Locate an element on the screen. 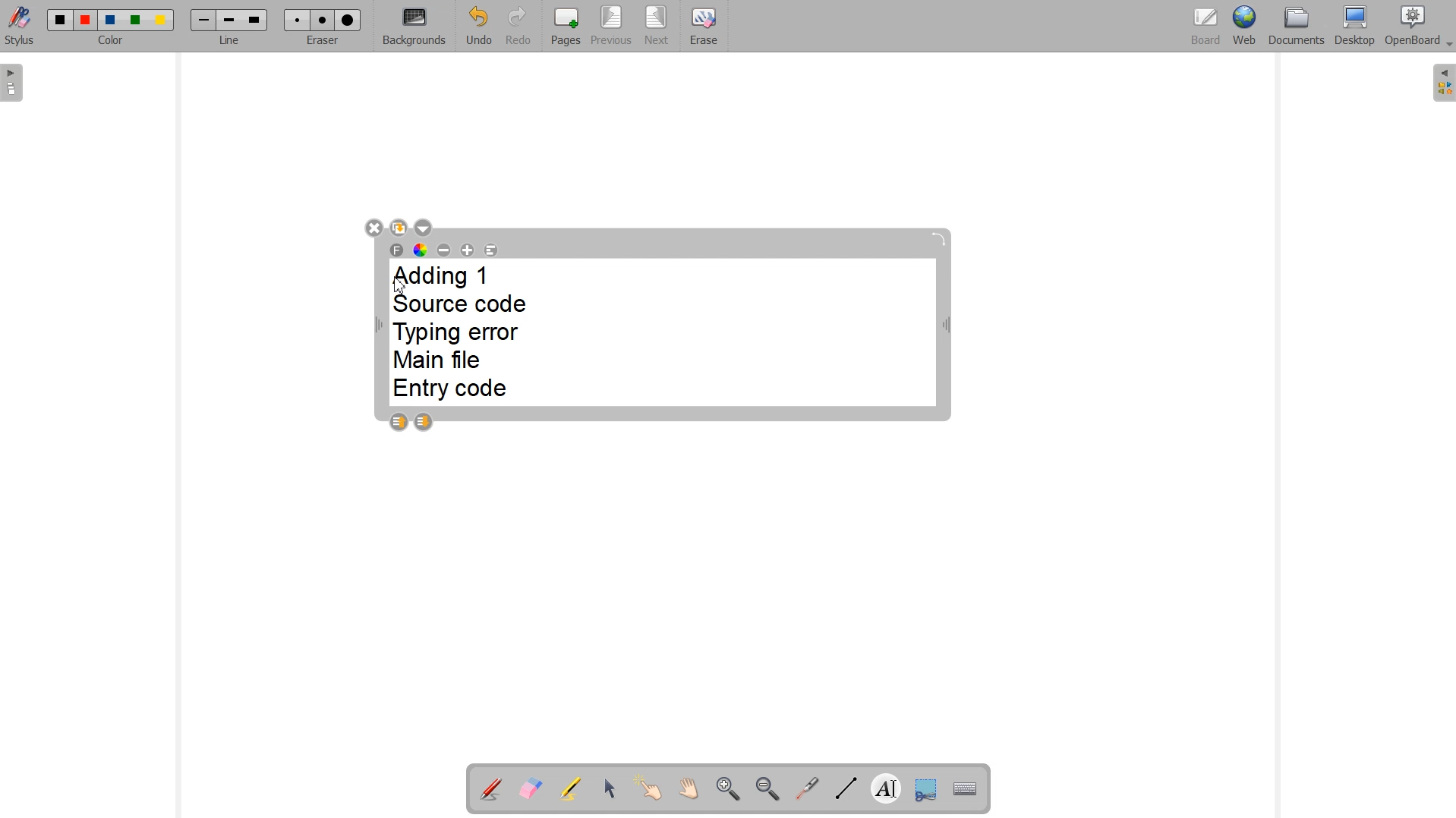 This screenshot has height=818, width=1456. Color 2 is located at coordinates (87, 20).